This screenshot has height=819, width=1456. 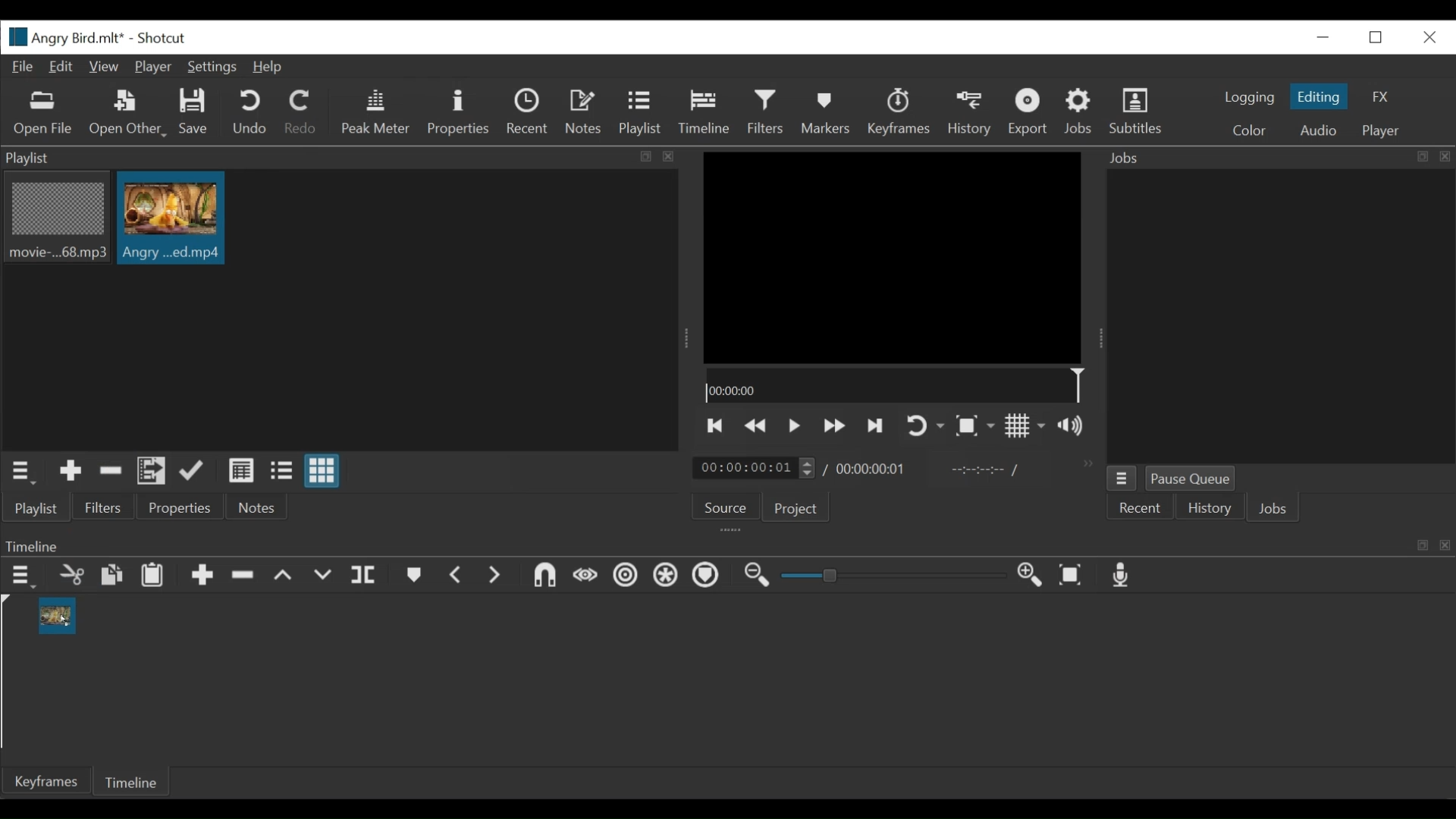 What do you see at coordinates (269, 68) in the screenshot?
I see `Help` at bounding box center [269, 68].